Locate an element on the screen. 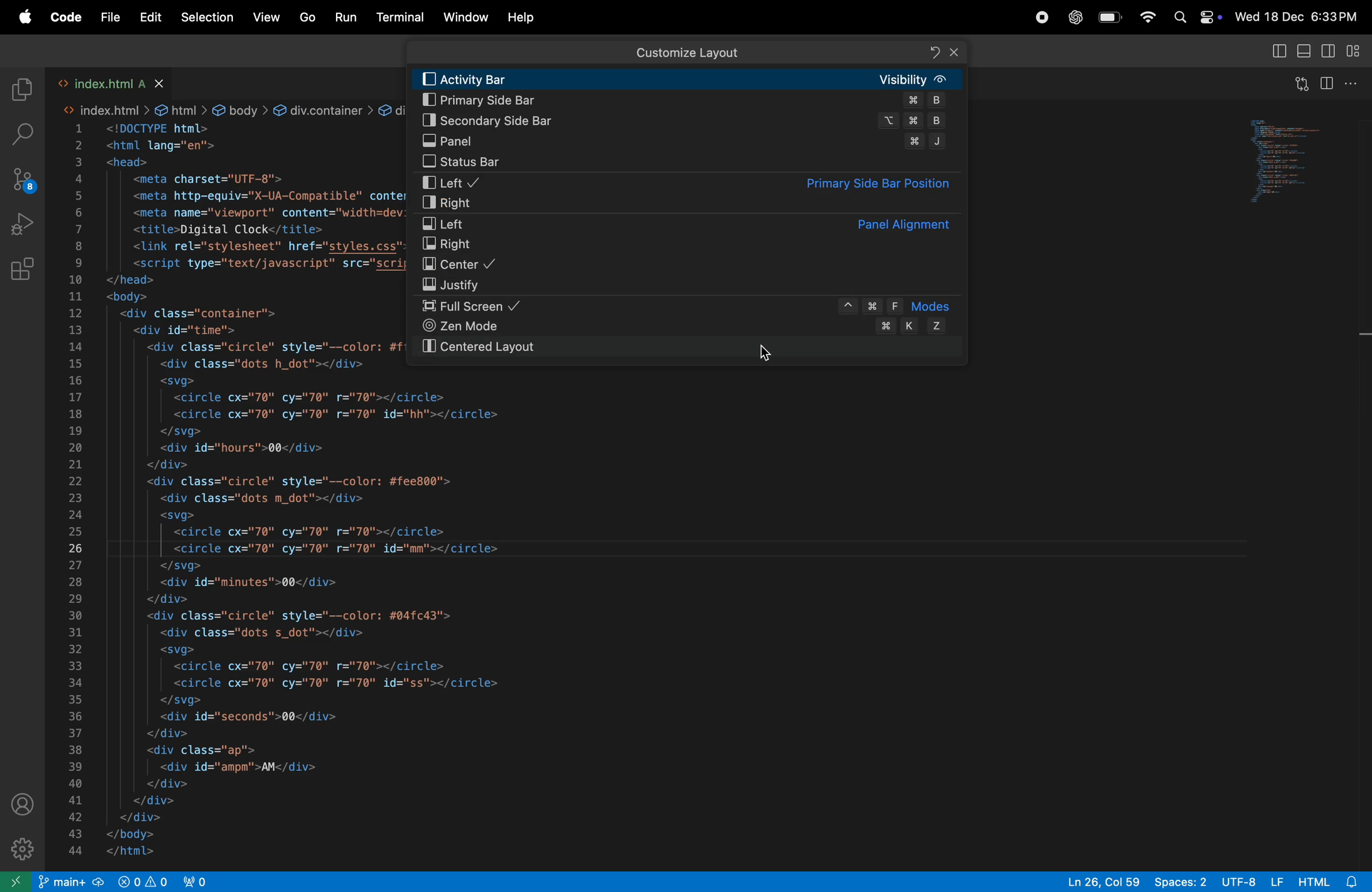  Search bar is located at coordinates (691, 51).